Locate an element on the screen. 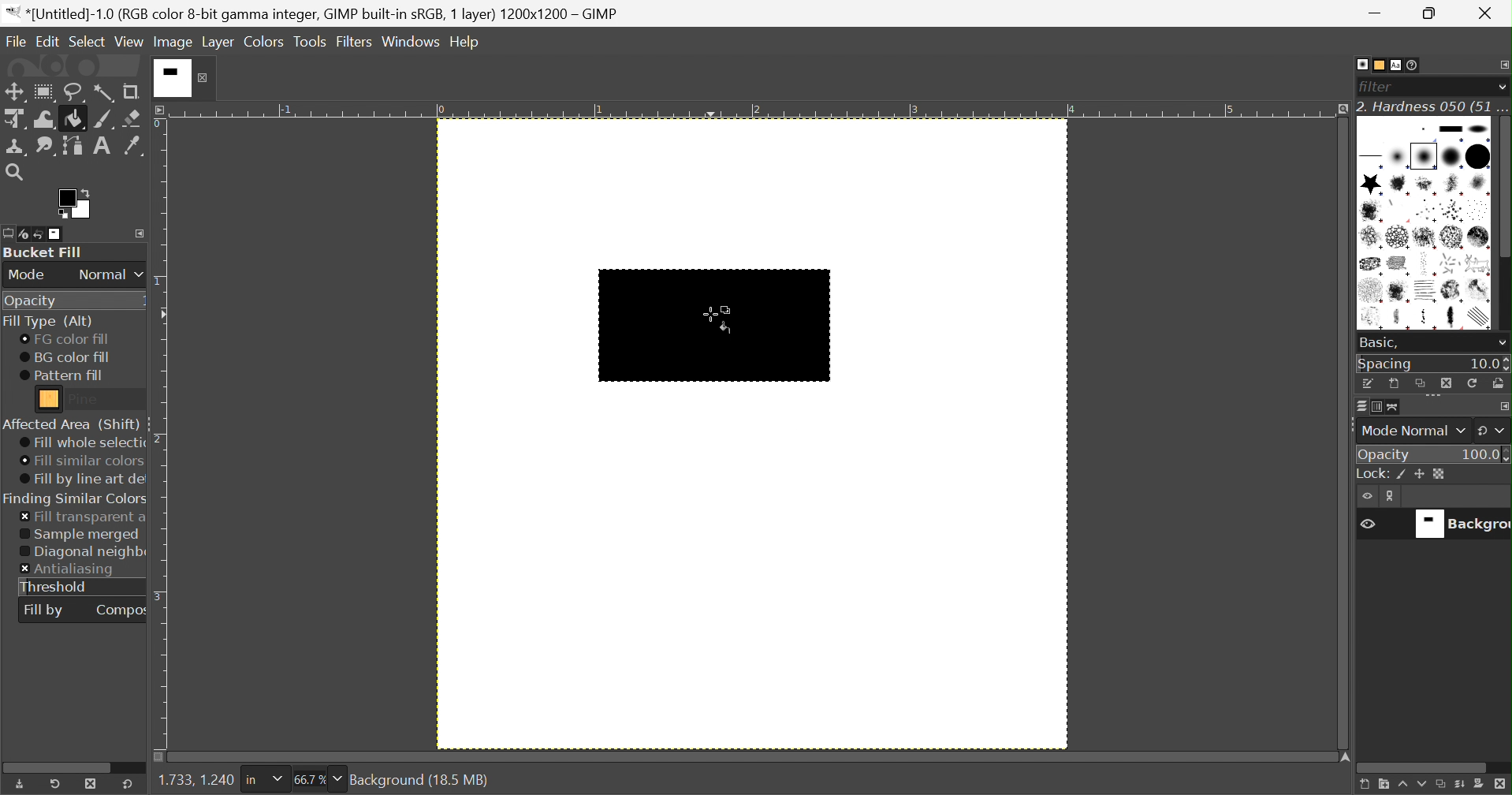 This screenshot has height=795, width=1512. Grunge is located at coordinates (1399, 292).